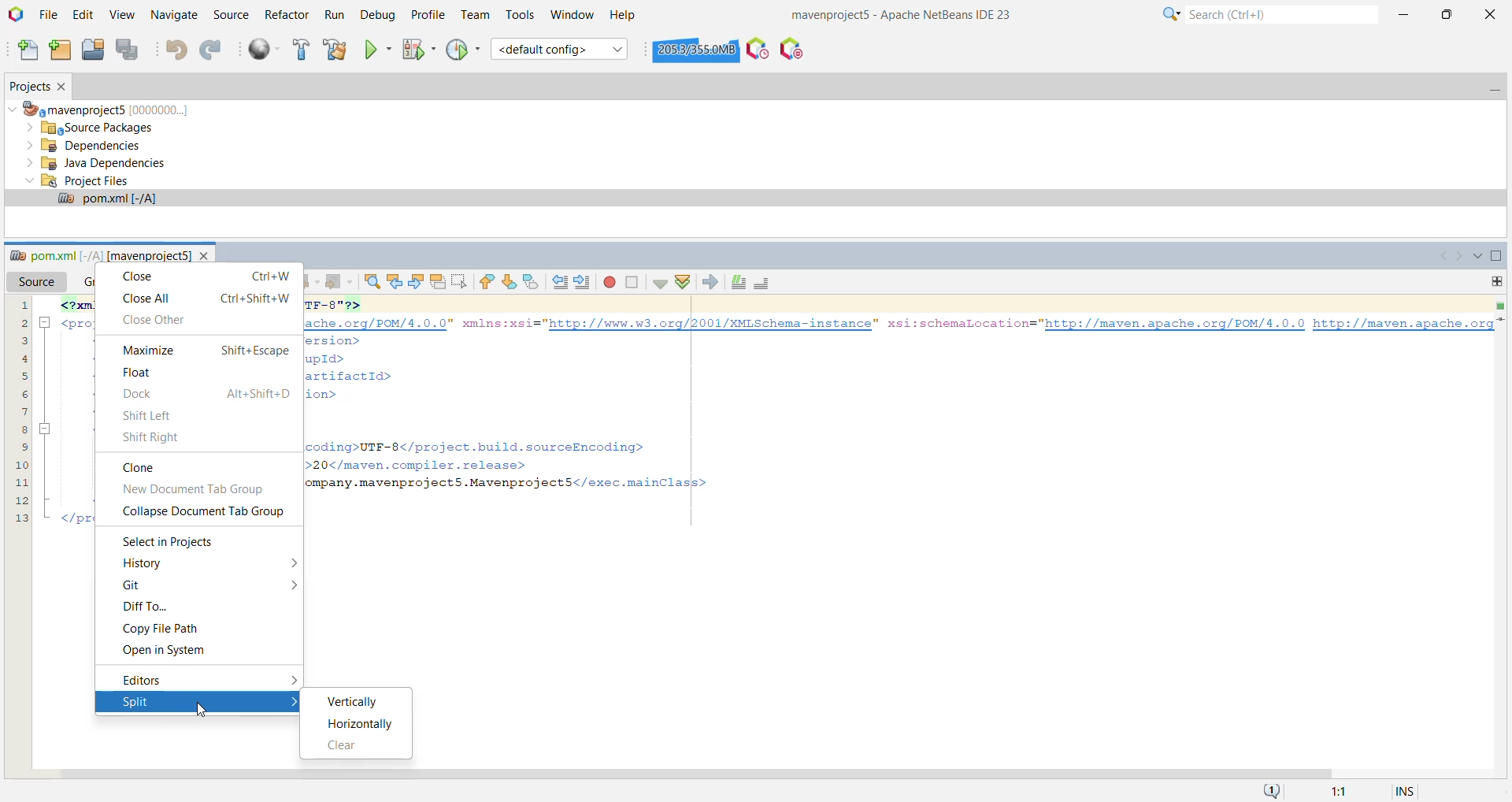  I want to click on 1, so click(21, 305).